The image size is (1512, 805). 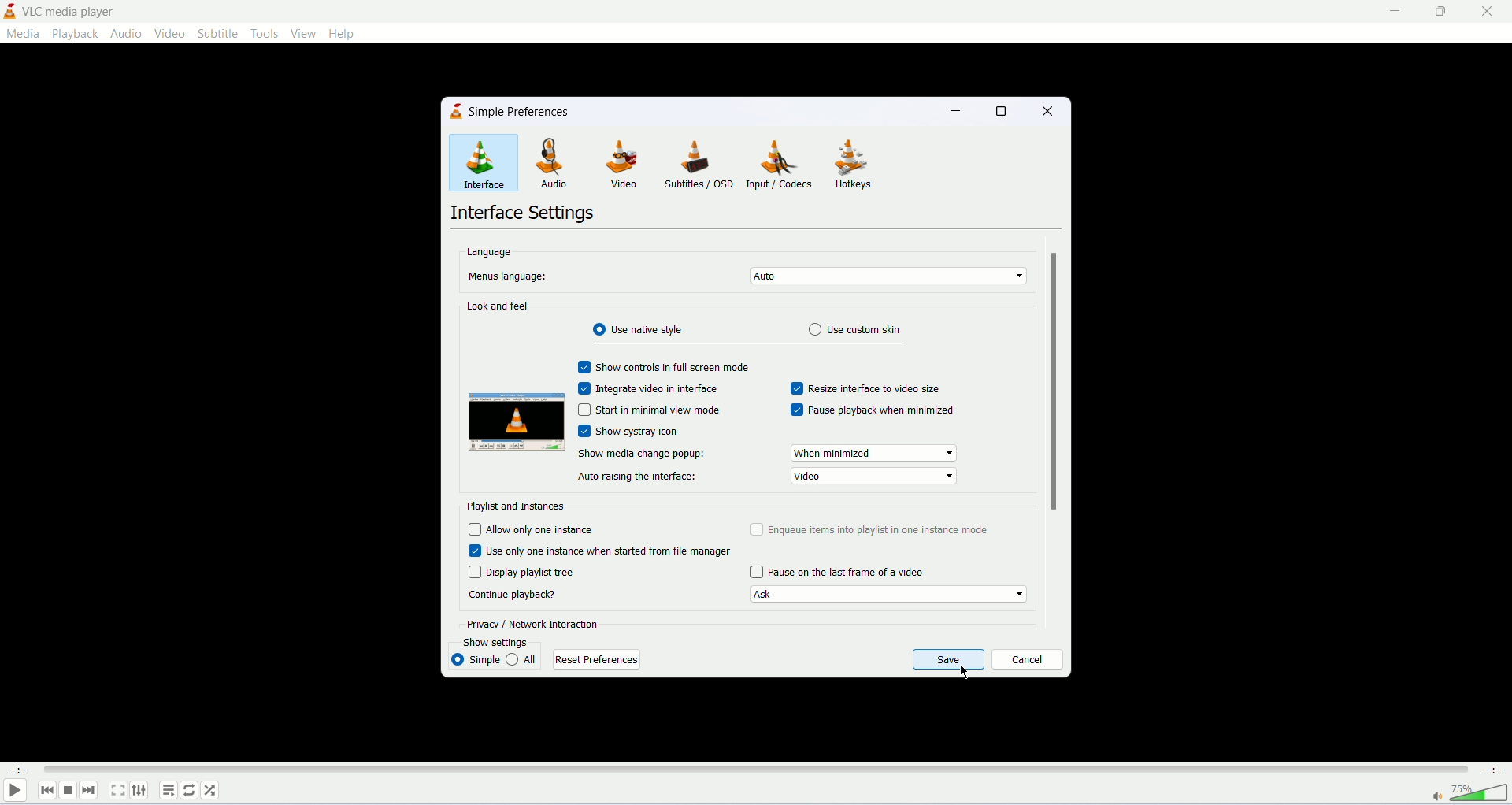 What do you see at coordinates (1028, 660) in the screenshot?
I see `cancel` at bounding box center [1028, 660].